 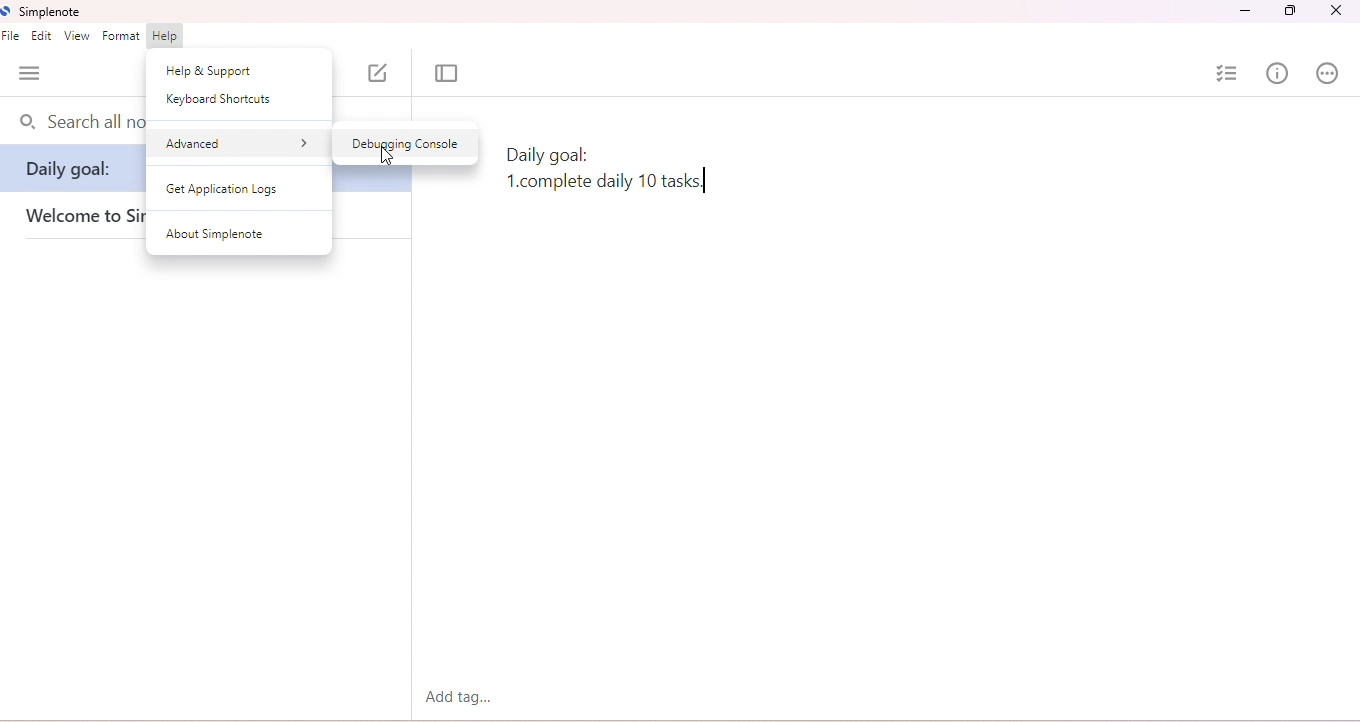 I want to click on toggle focus mode, so click(x=450, y=74).